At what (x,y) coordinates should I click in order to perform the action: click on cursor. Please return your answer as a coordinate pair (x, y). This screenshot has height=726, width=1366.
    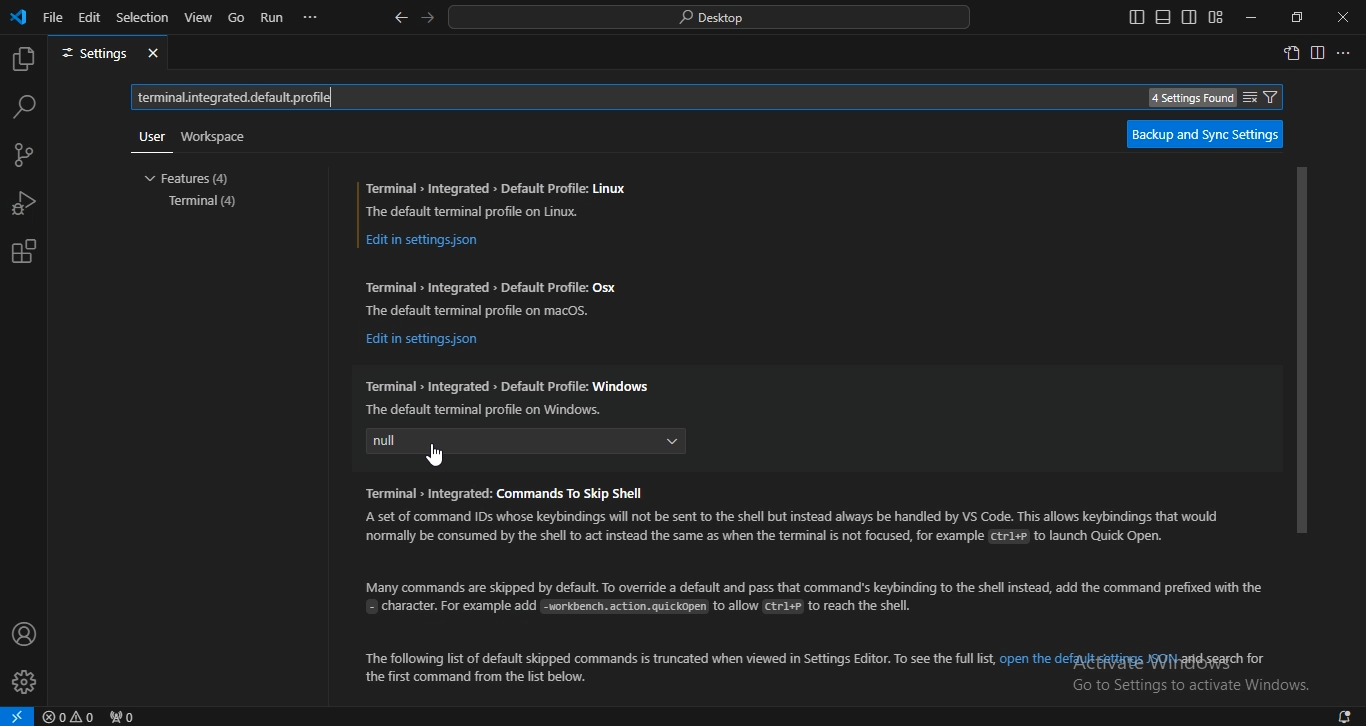
    Looking at the image, I should click on (440, 455).